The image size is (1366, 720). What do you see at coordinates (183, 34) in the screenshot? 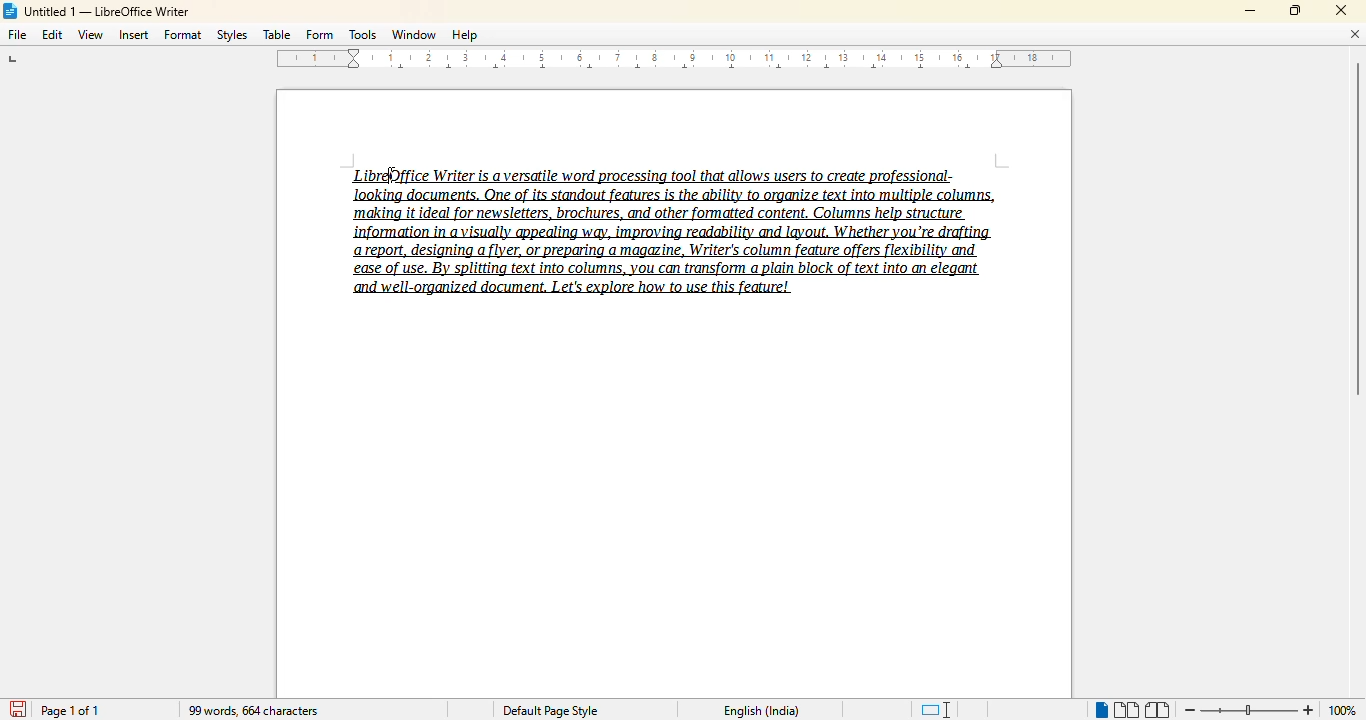
I see `format` at bounding box center [183, 34].